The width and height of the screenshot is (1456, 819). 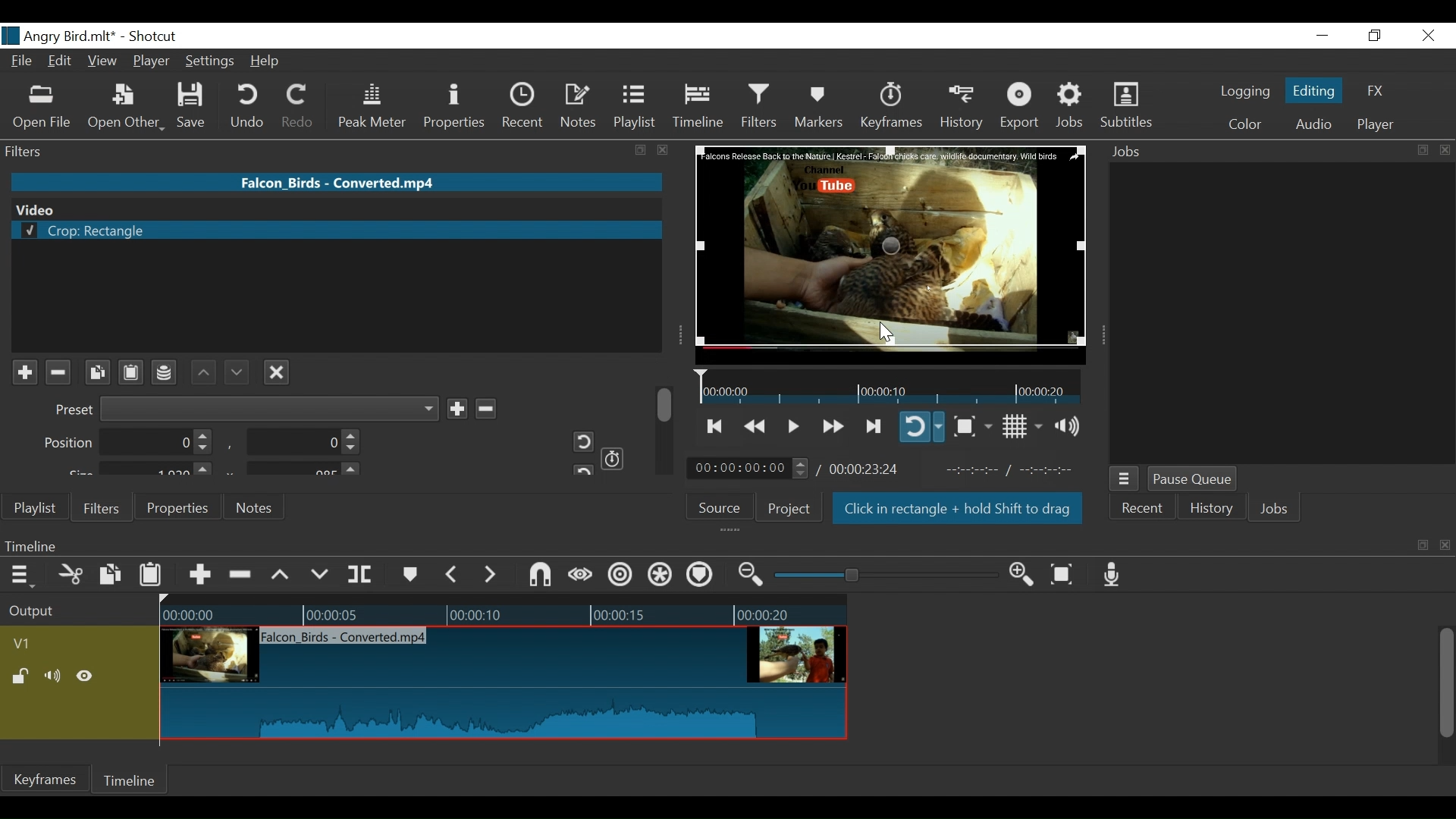 I want to click on In point, so click(x=1015, y=470).